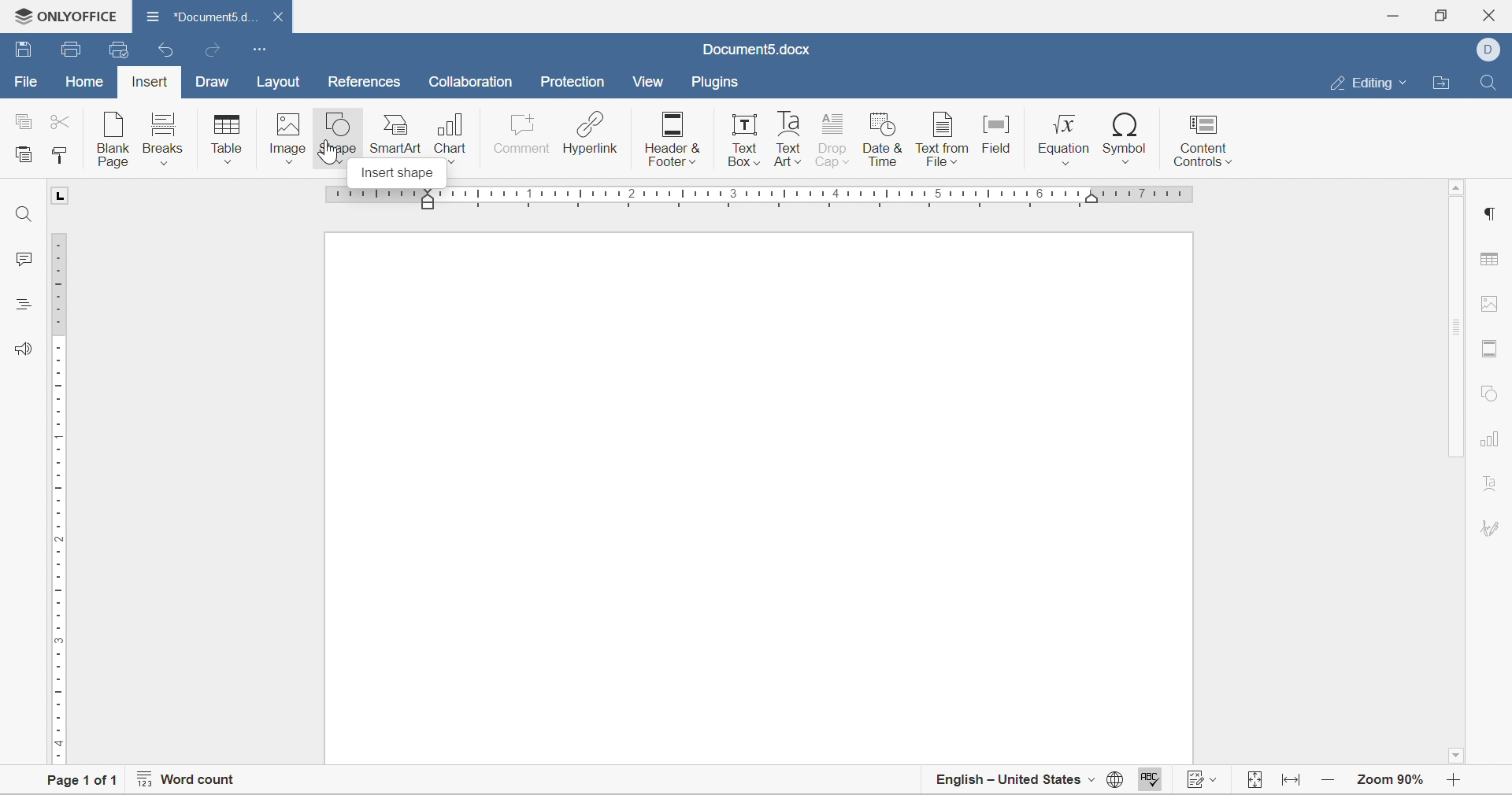 This screenshot has width=1512, height=795. I want to click on L, so click(64, 198).